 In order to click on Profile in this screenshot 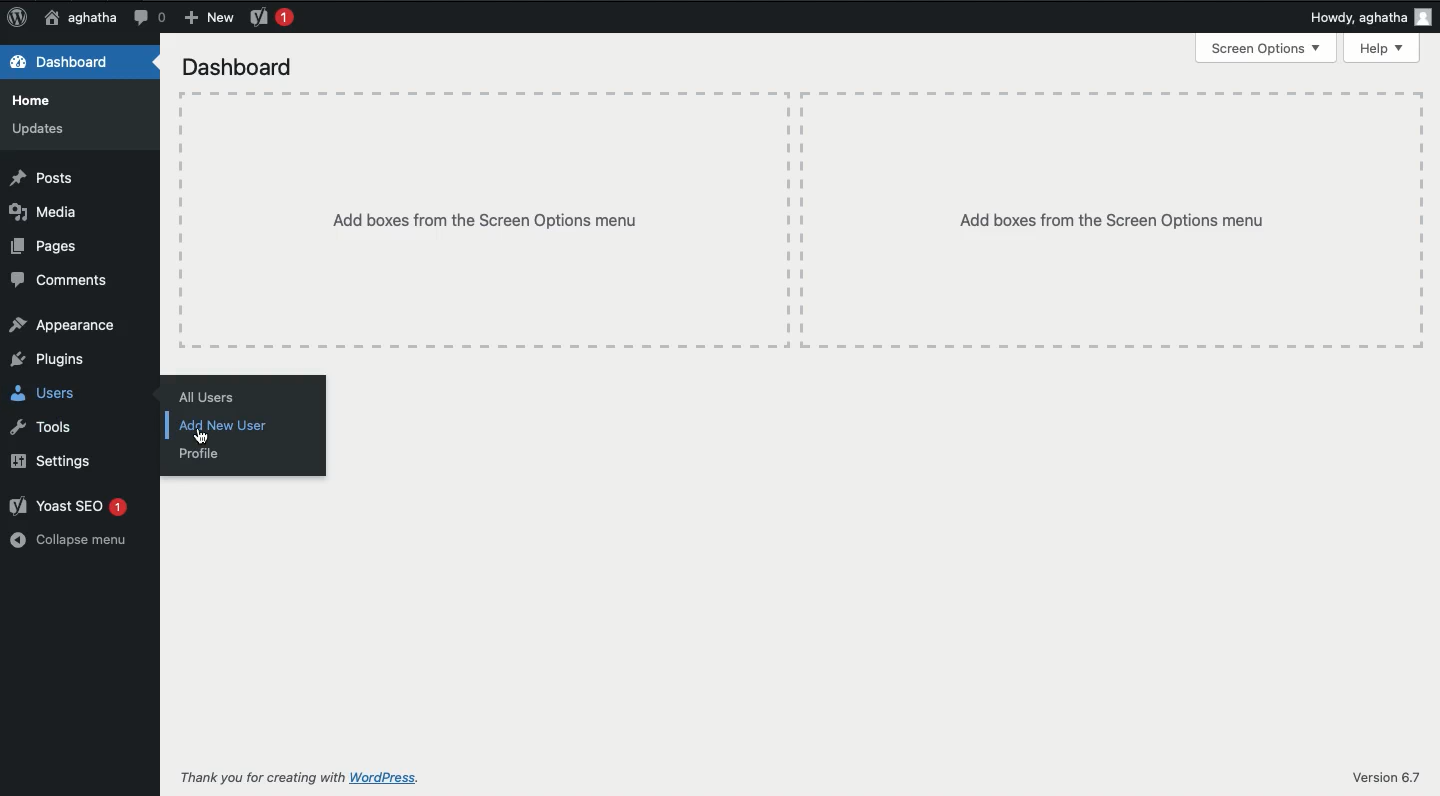, I will do `click(199, 454)`.